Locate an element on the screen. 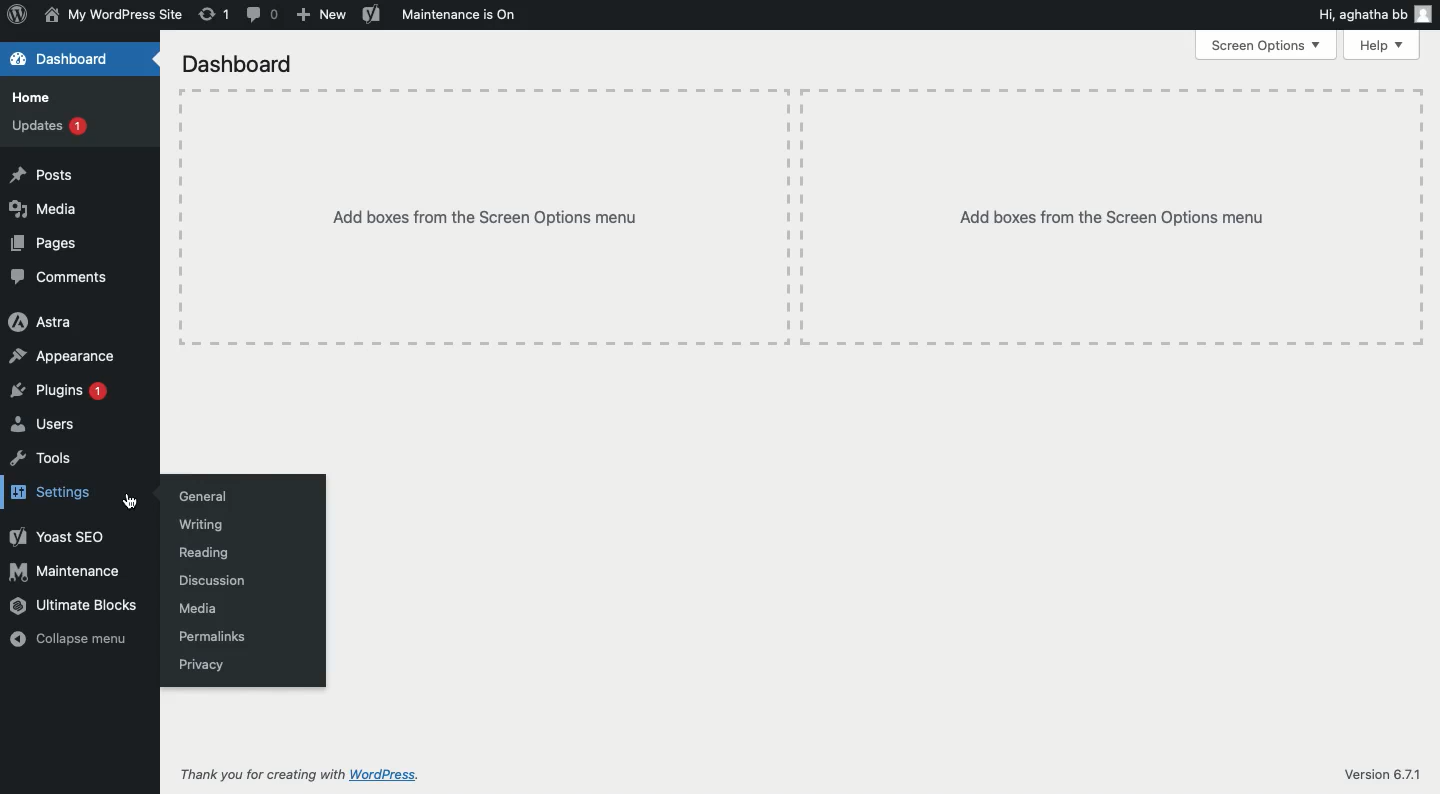 The image size is (1440, 794). Reading is located at coordinates (206, 553).